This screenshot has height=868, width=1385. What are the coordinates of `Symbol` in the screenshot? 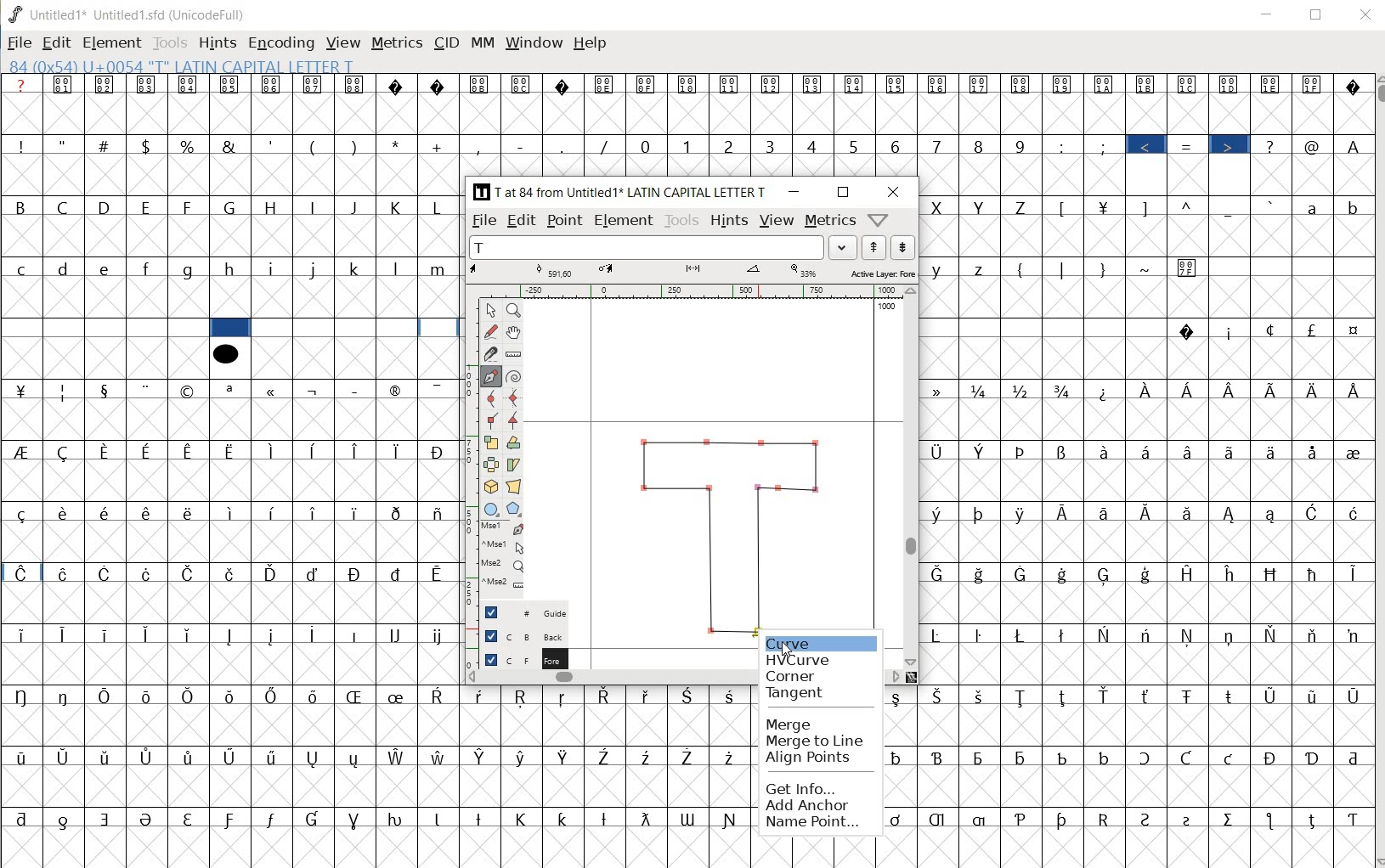 It's located at (1351, 86).